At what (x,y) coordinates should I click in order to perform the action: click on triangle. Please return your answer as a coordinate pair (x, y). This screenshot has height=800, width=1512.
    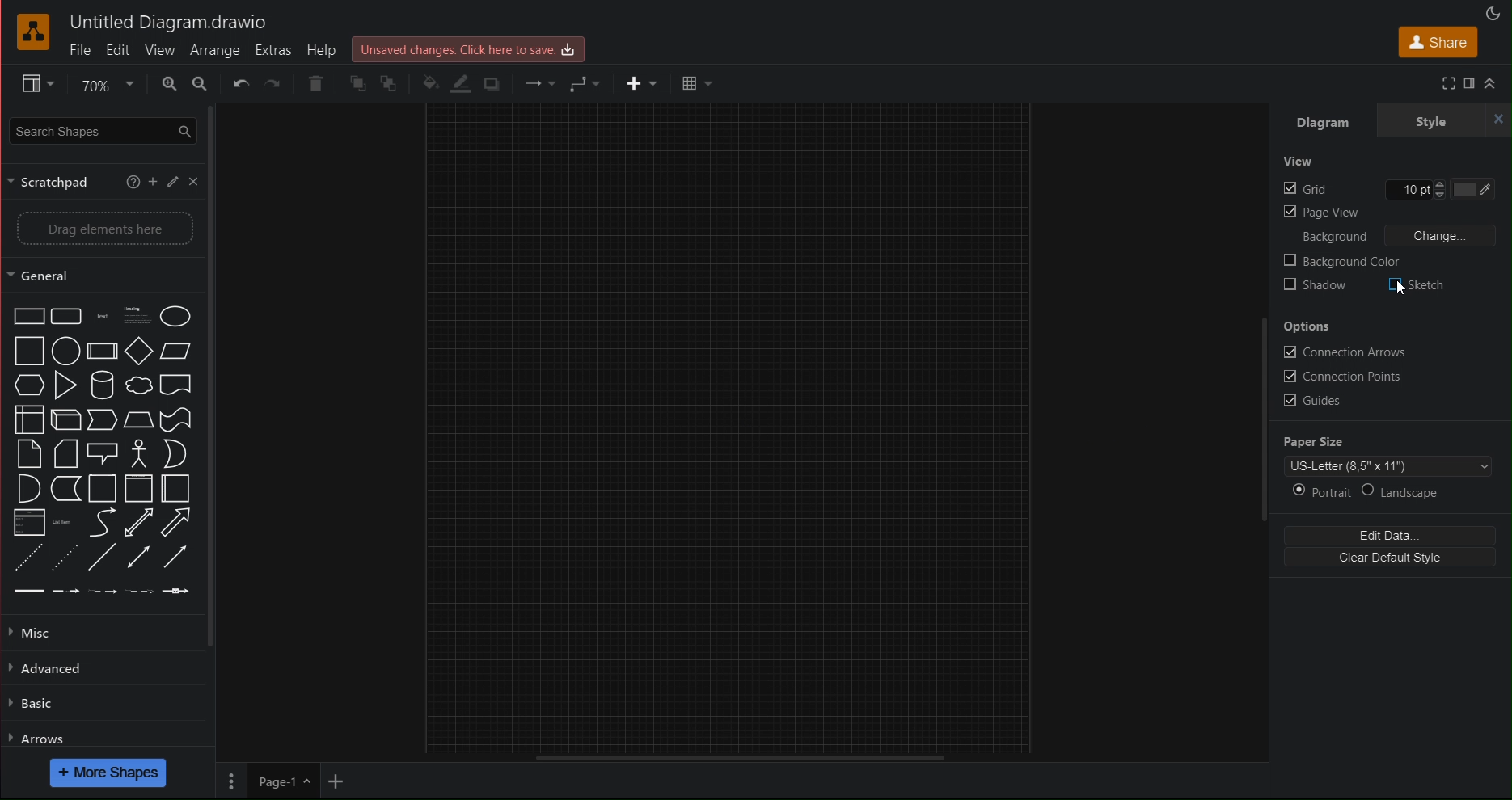
    Looking at the image, I should click on (64, 385).